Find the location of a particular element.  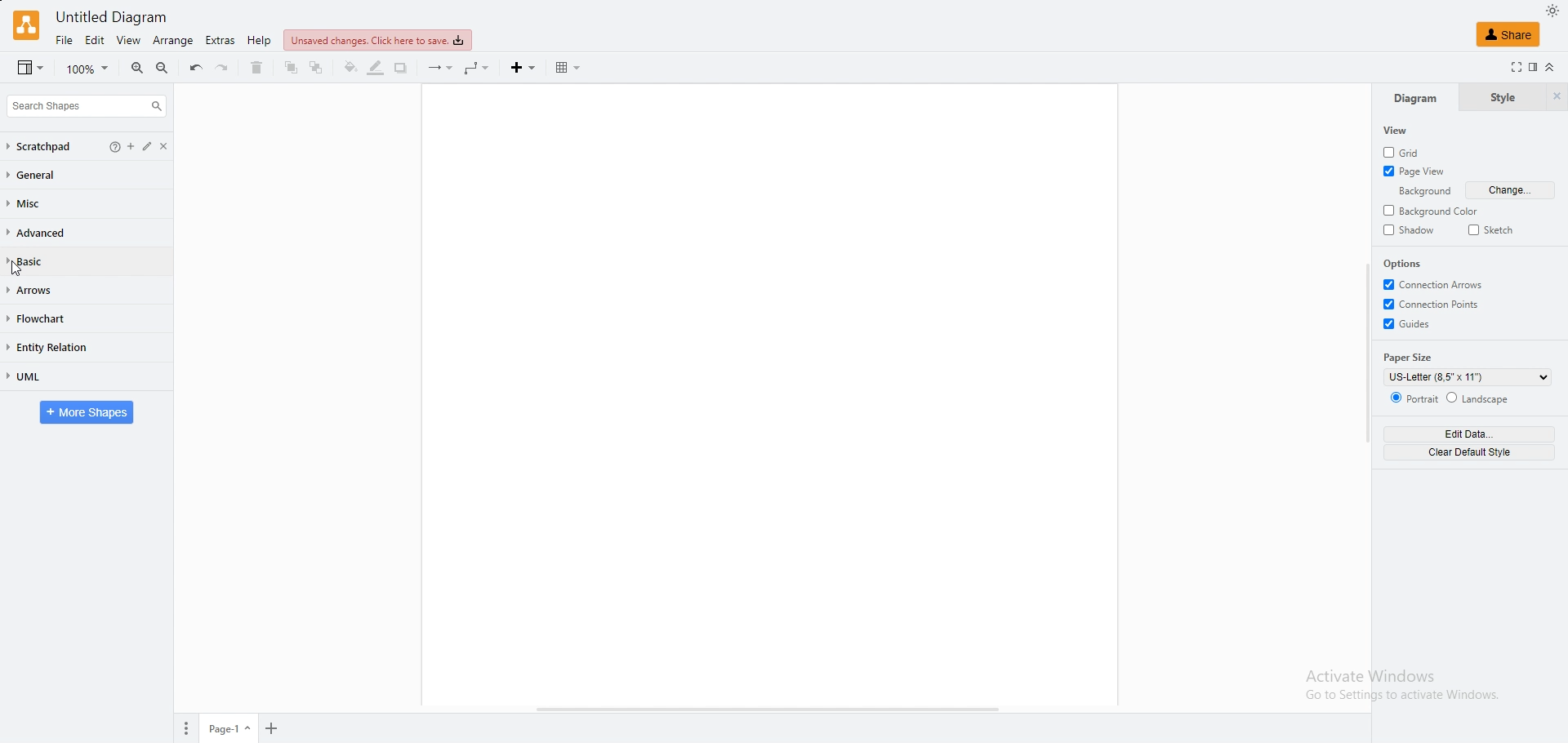

table is located at coordinates (568, 68).